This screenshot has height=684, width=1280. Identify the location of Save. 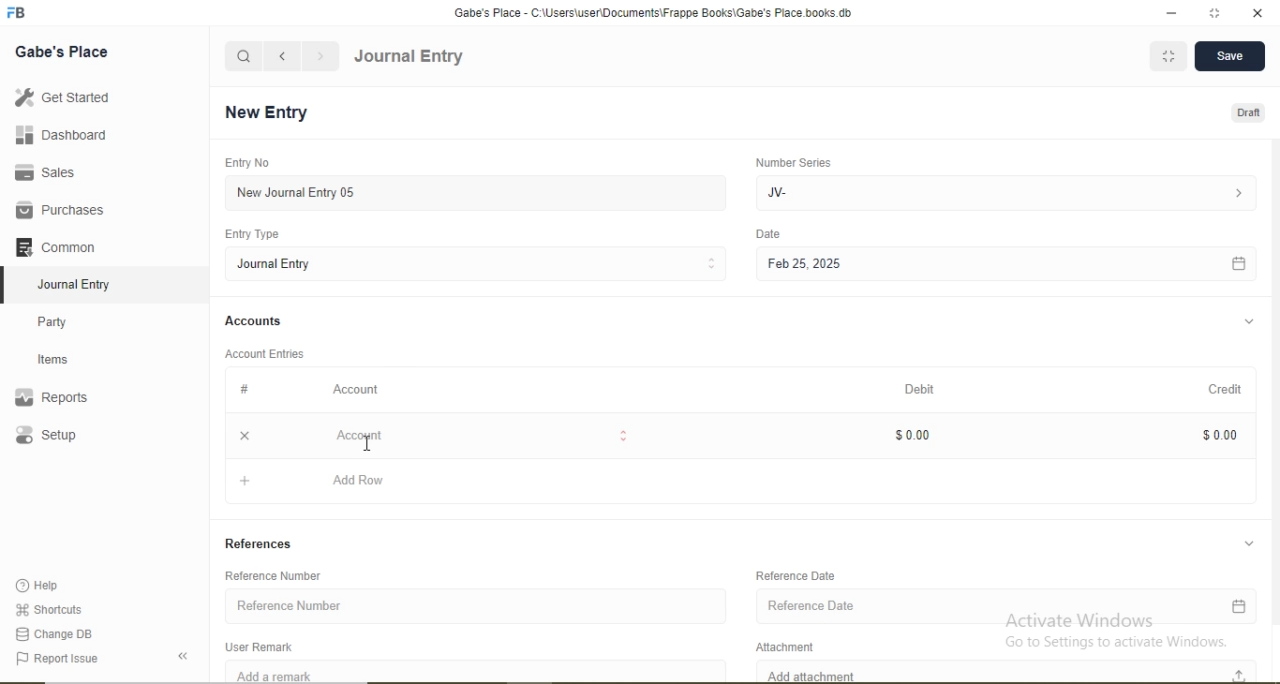
(1228, 57).